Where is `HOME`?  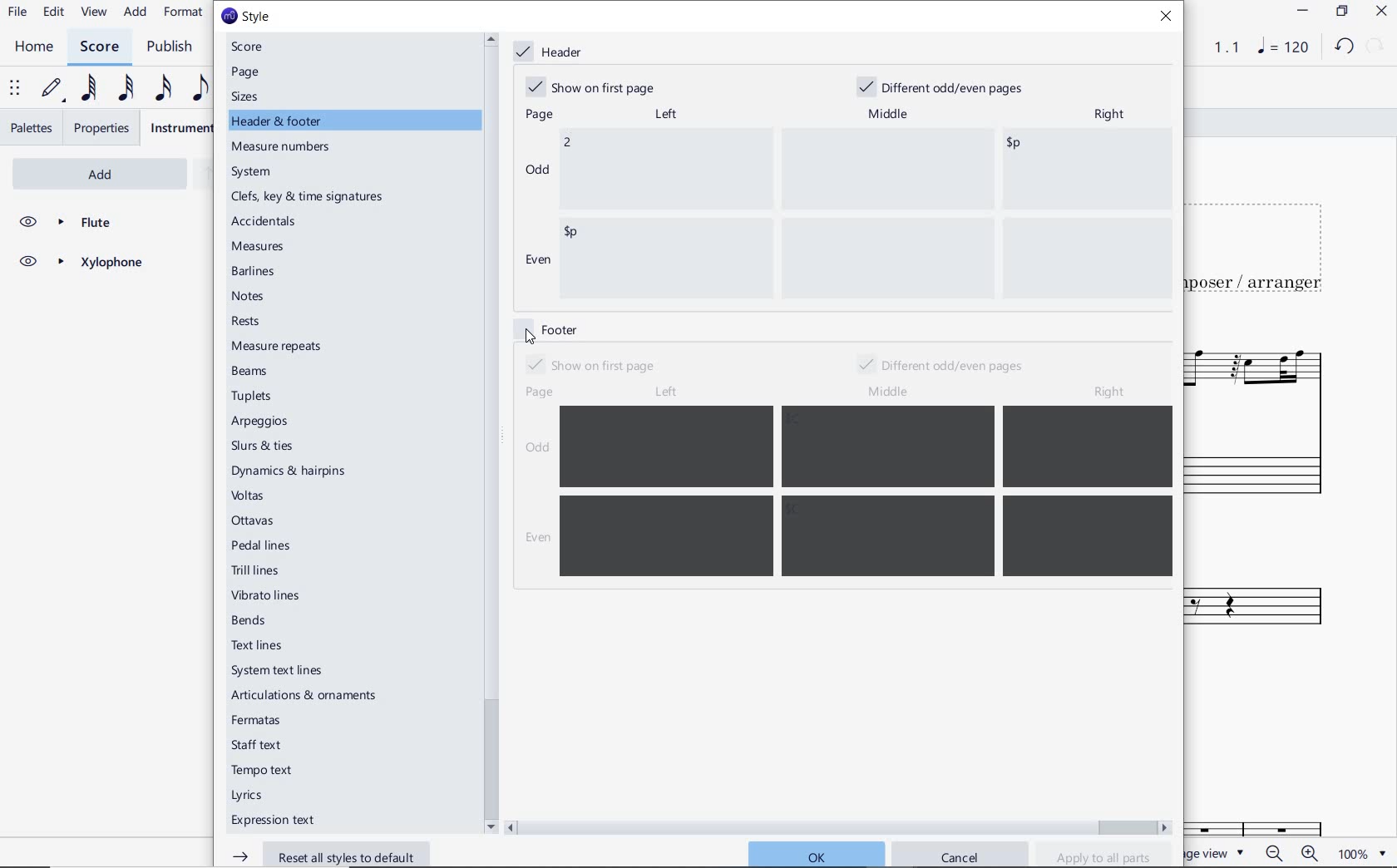 HOME is located at coordinates (34, 47).